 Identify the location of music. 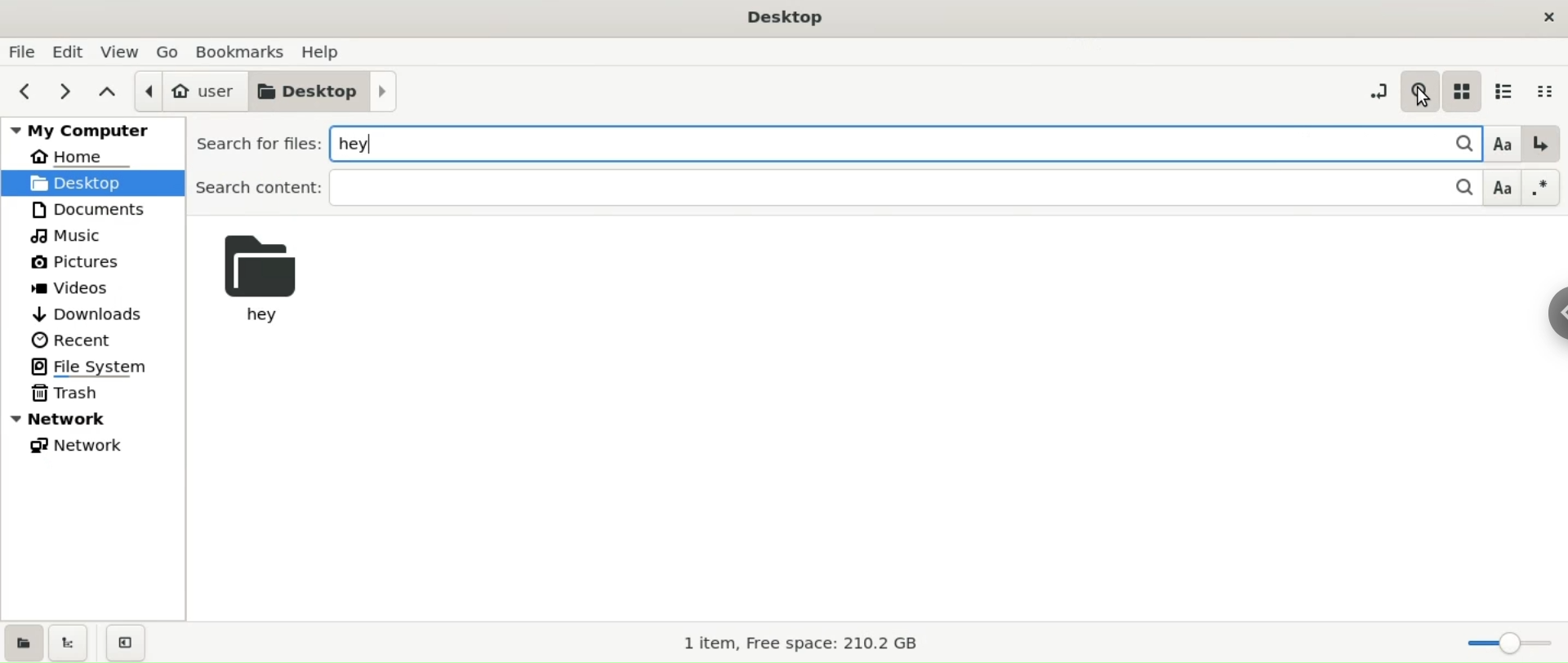
(93, 234).